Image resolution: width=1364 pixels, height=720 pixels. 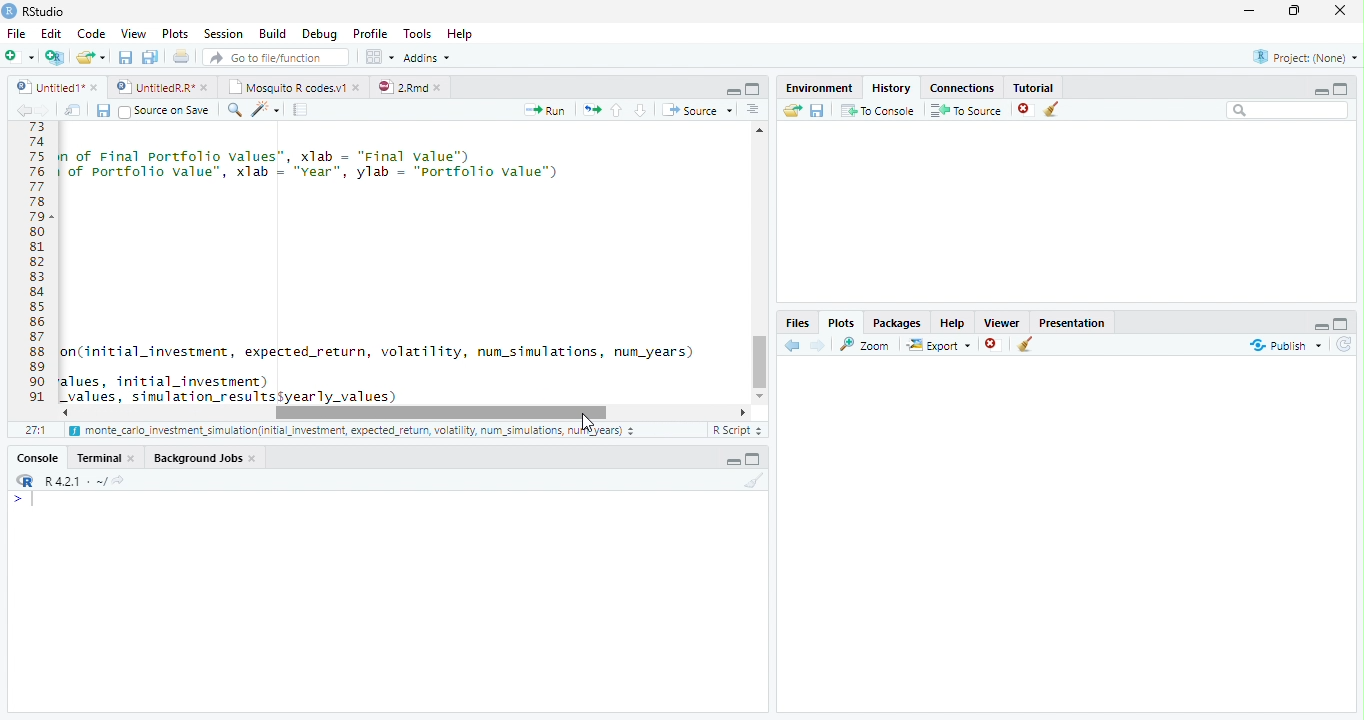 What do you see at coordinates (38, 457) in the screenshot?
I see `Console` at bounding box center [38, 457].